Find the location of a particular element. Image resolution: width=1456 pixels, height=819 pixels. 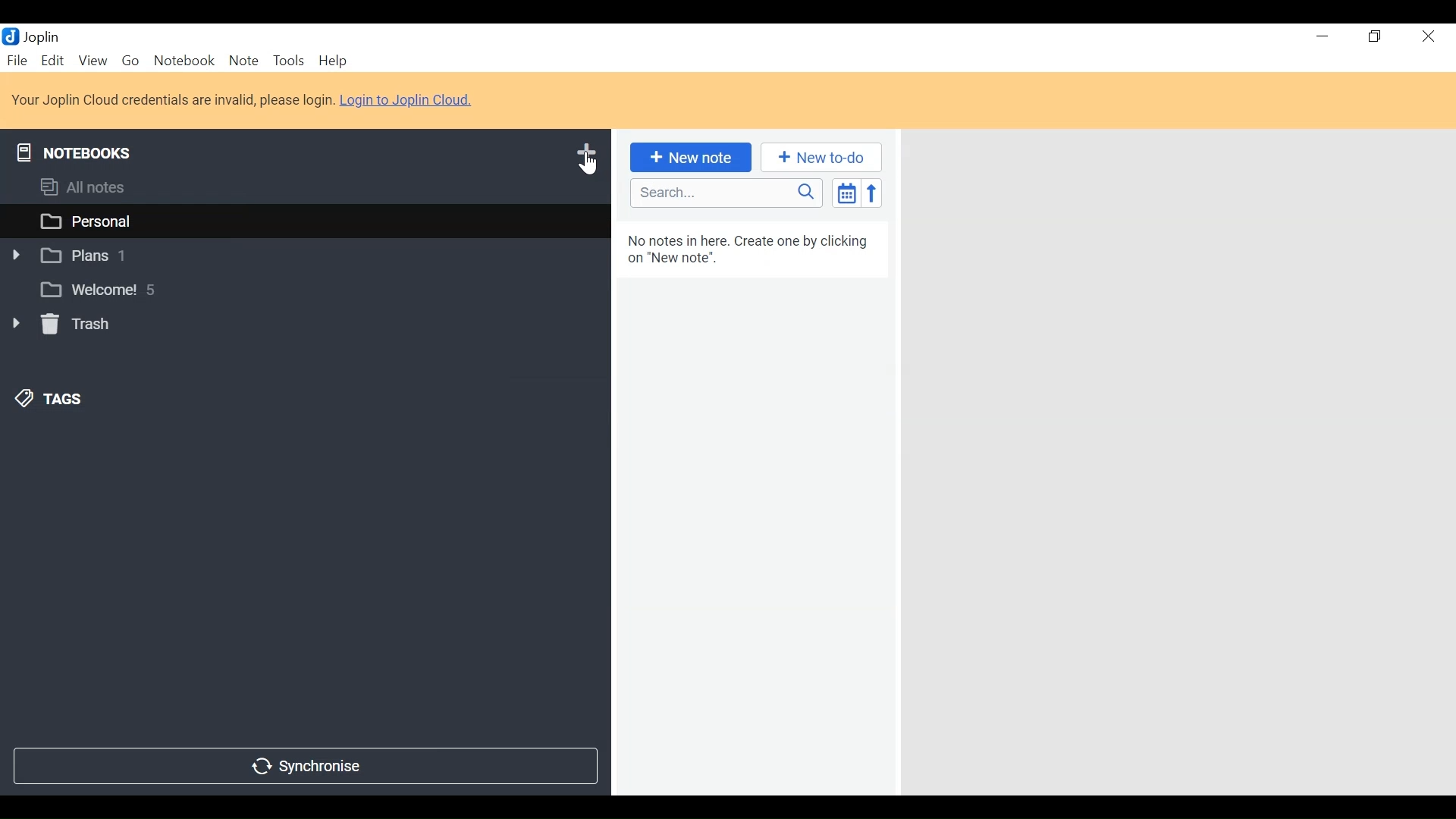

Your Joplin cloud credentials are invalid, please login. is located at coordinates (174, 99).